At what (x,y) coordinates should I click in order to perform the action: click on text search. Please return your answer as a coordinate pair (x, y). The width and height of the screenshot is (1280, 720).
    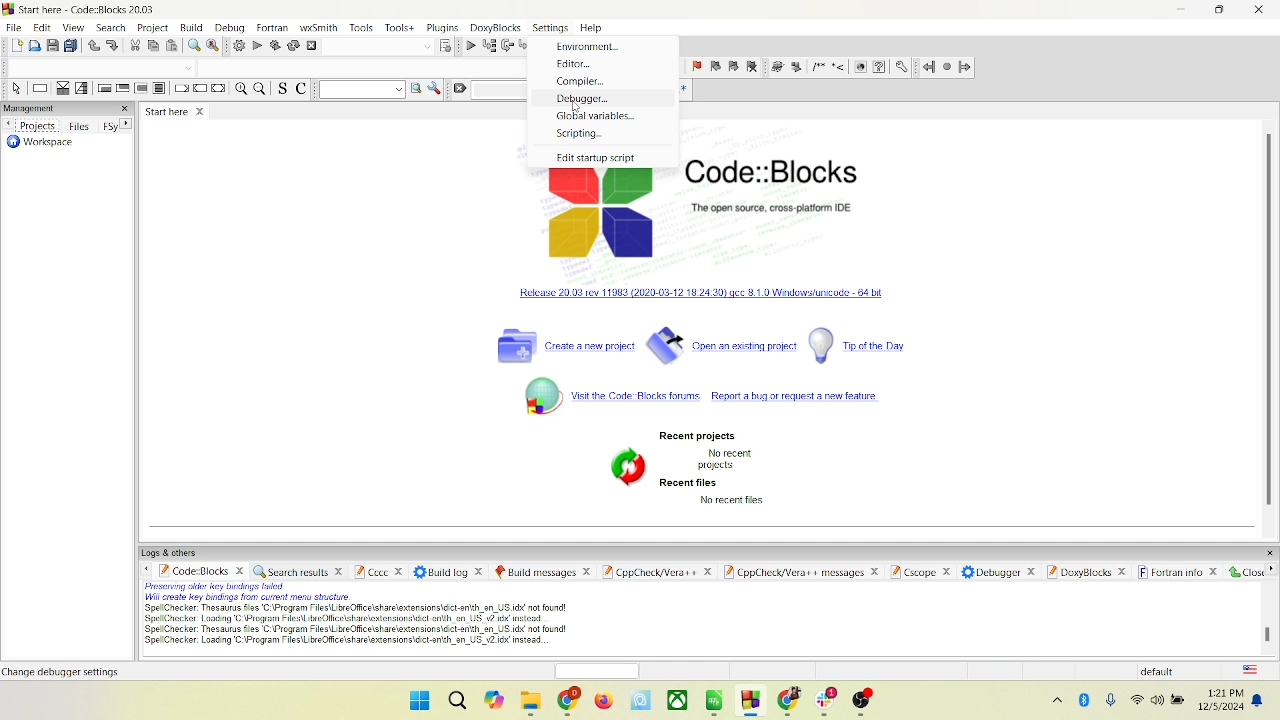
    Looking at the image, I should click on (358, 89).